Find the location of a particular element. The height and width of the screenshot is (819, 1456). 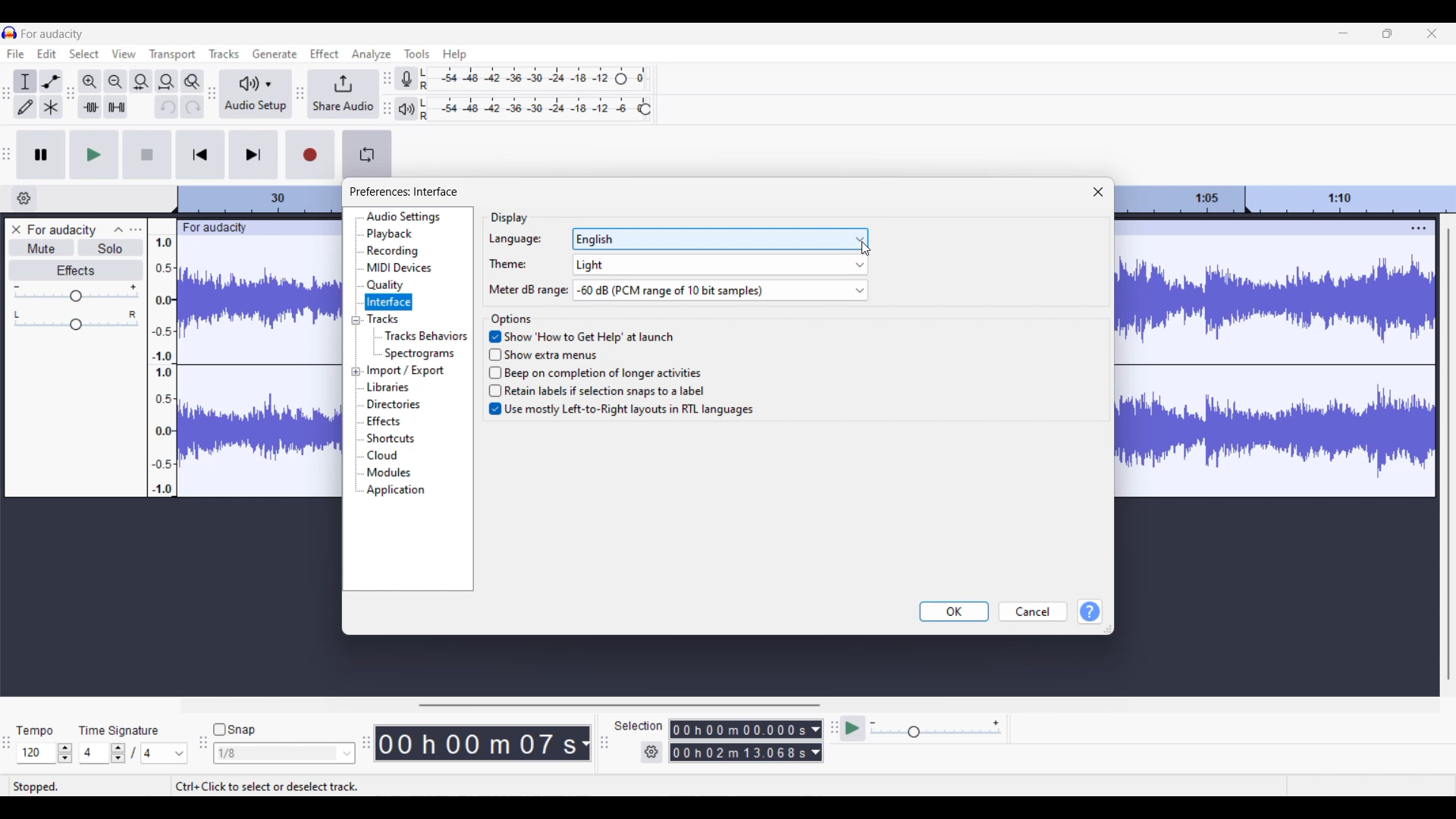

Software logo is located at coordinates (10, 33).